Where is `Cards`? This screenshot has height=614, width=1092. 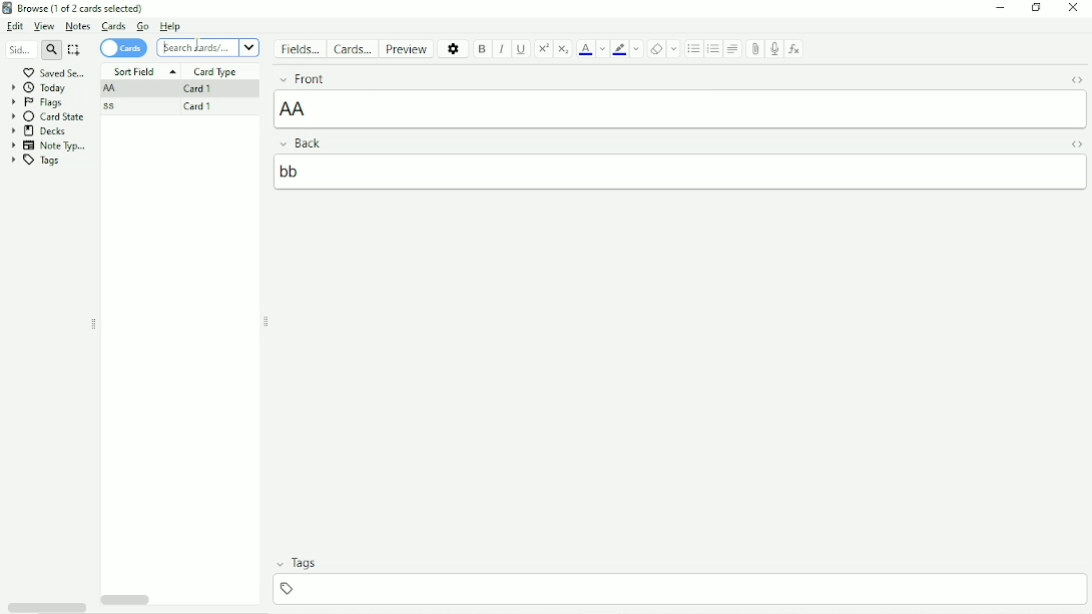 Cards is located at coordinates (112, 26).